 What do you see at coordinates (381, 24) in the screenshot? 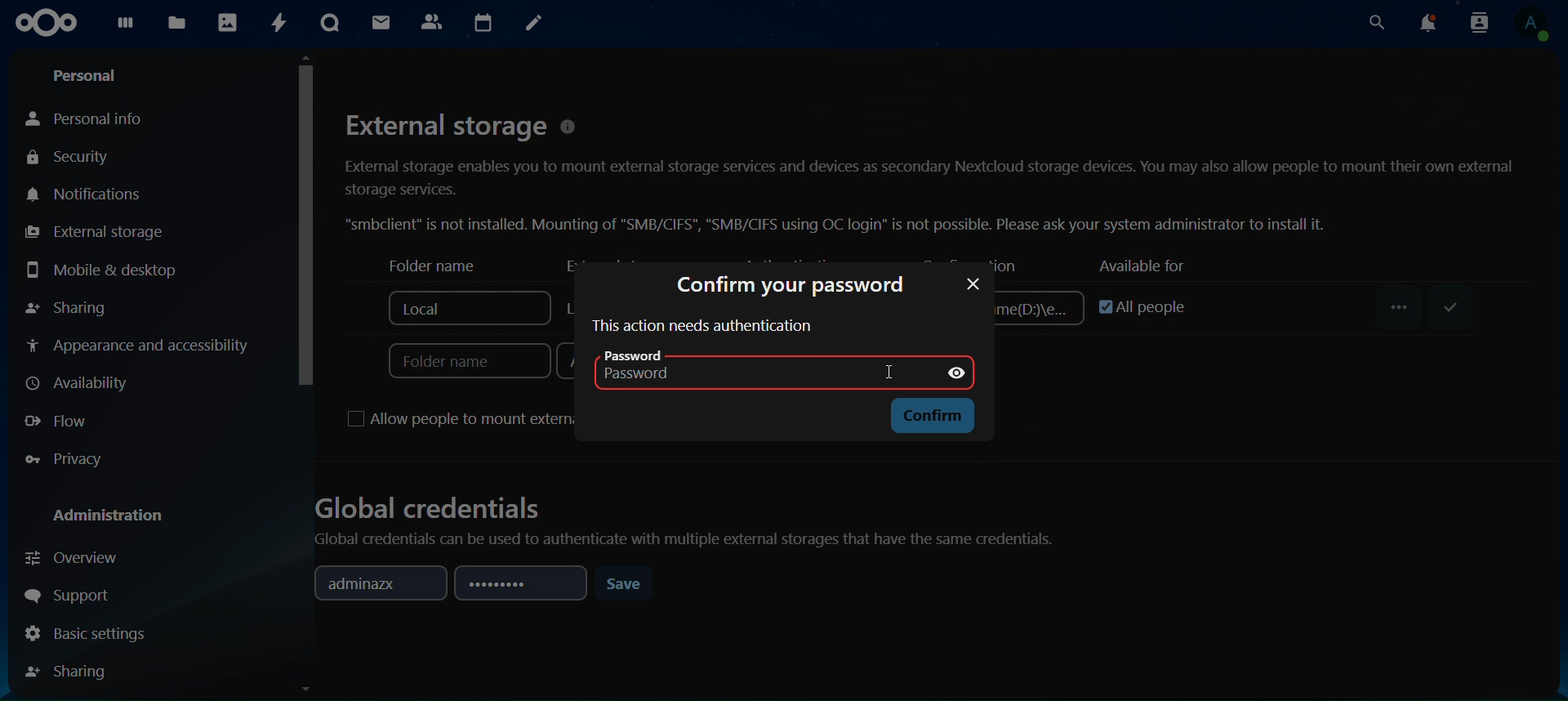
I see `mail` at bounding box center [381, 24].